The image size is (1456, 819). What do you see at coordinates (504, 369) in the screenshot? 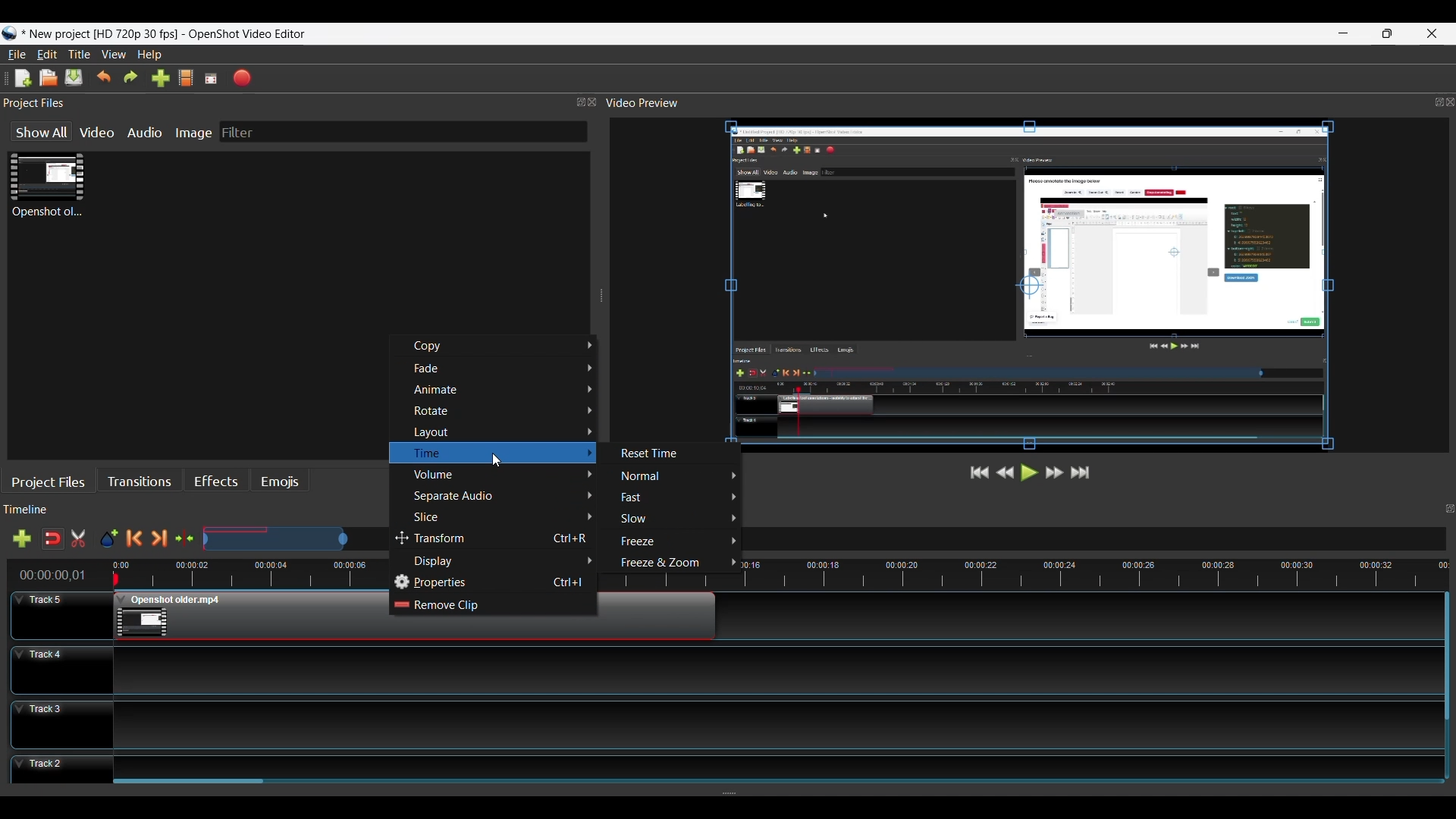
I see `Fade` at bounding box center [504, 369].